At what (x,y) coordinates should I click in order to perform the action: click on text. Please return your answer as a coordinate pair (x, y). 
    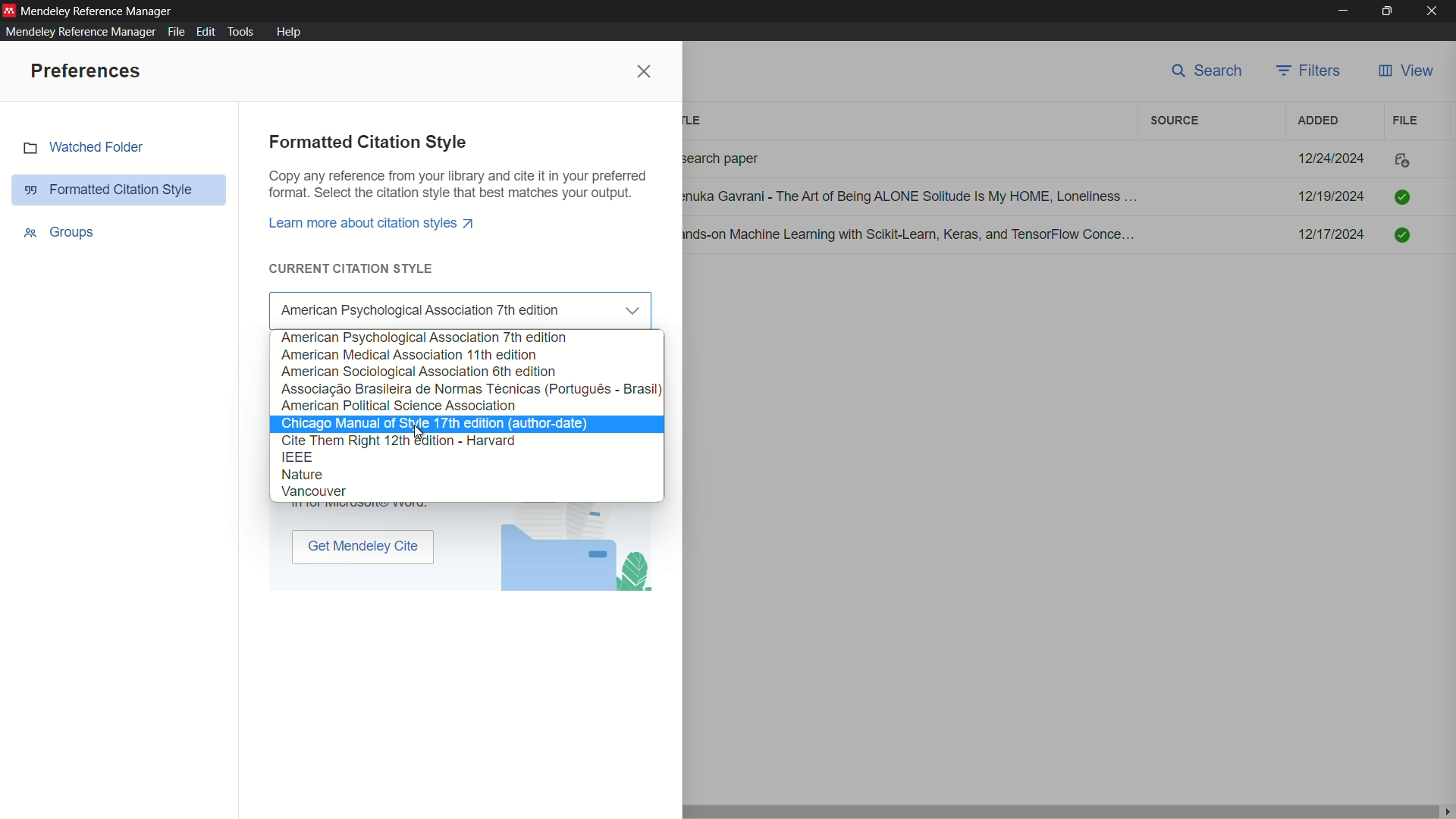
    Looking at the image, I should click on (458, 185).